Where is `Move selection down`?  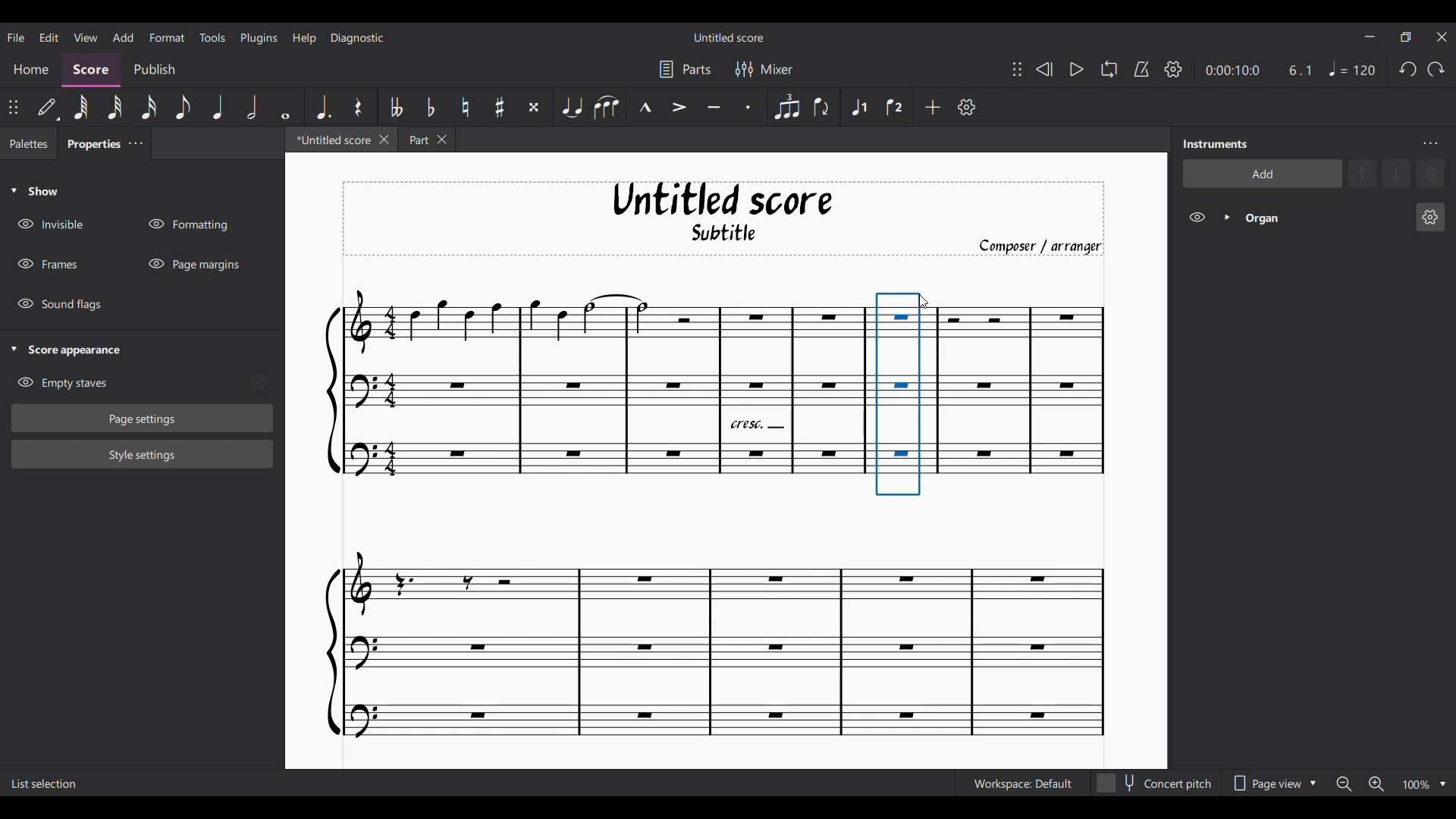
Move selection down is located at coordinates (1396, 173).